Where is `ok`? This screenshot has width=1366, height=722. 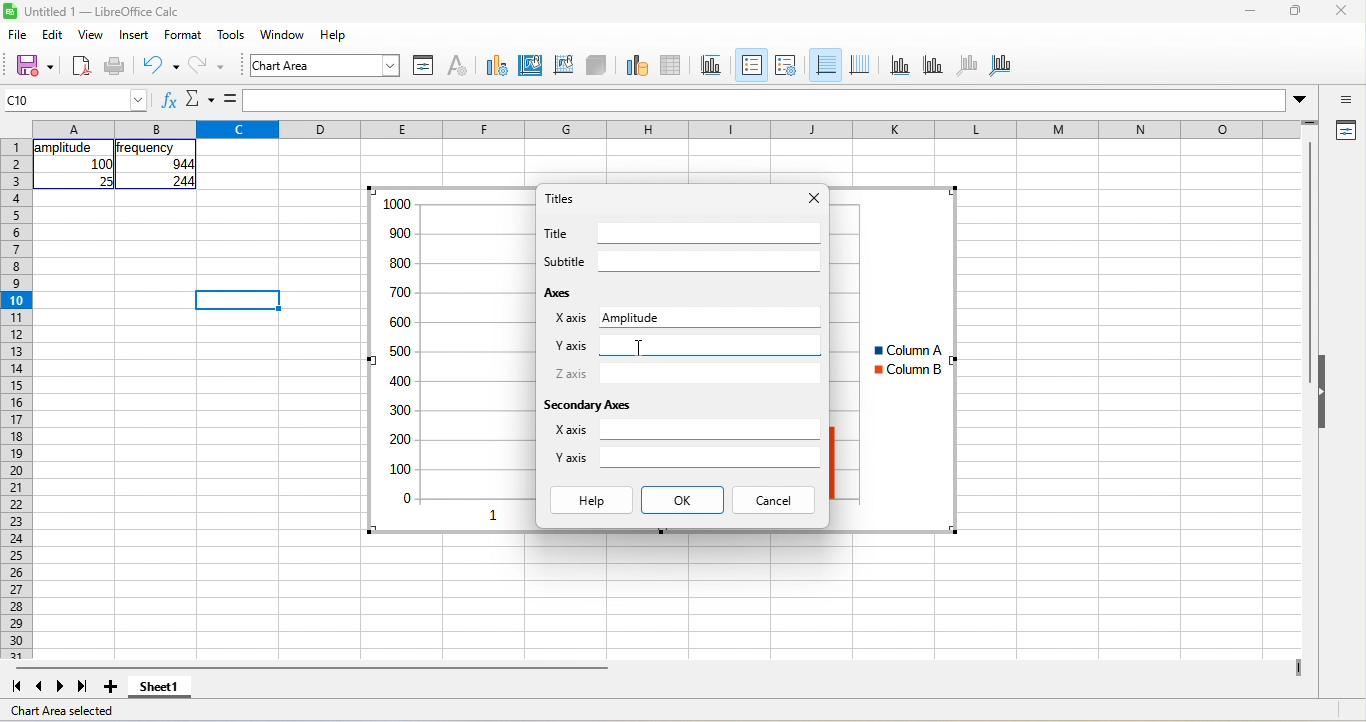 ok is located at coordinates (683, 500).